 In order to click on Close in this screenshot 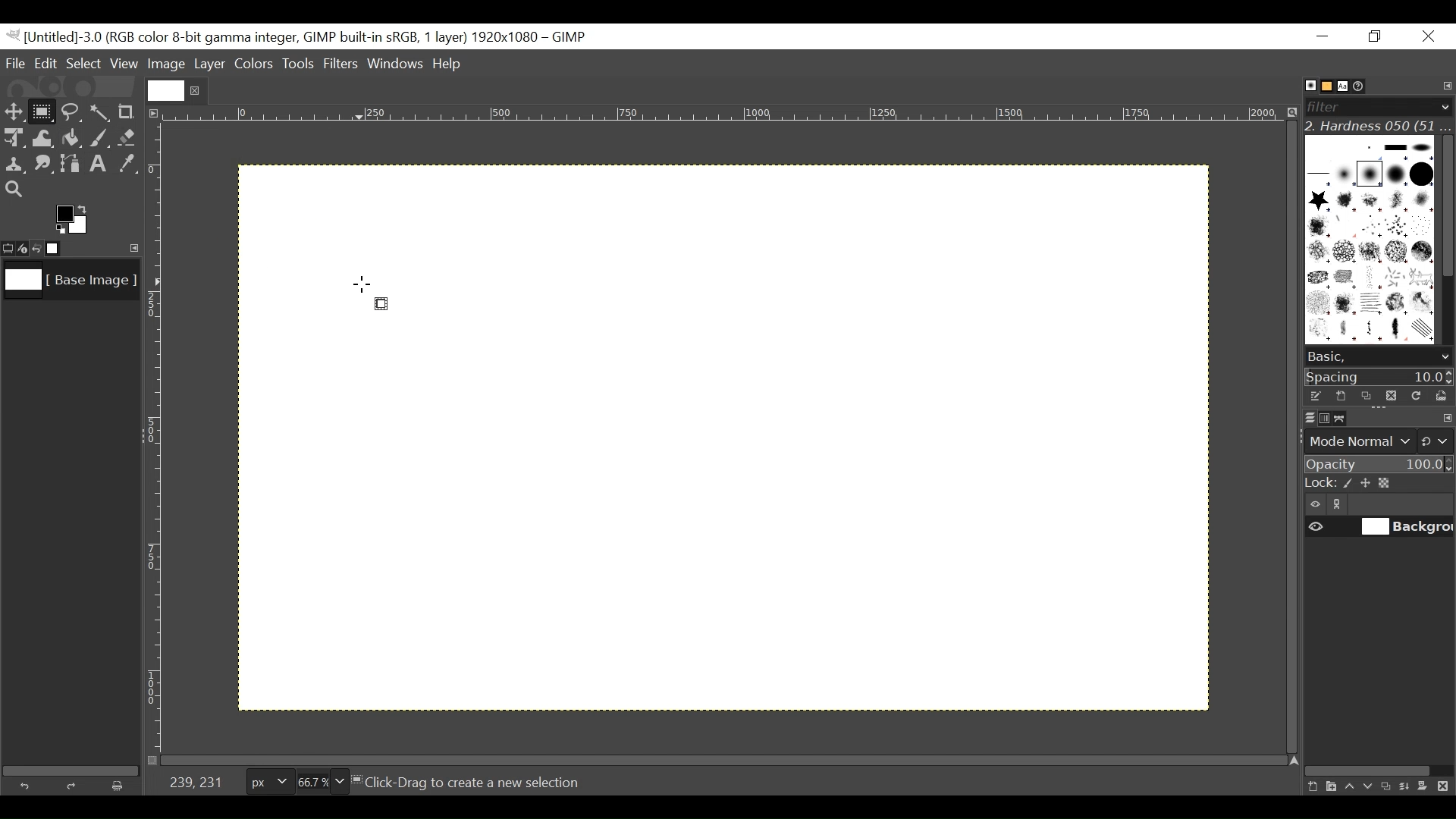, I will do `click(1427, 37)`.